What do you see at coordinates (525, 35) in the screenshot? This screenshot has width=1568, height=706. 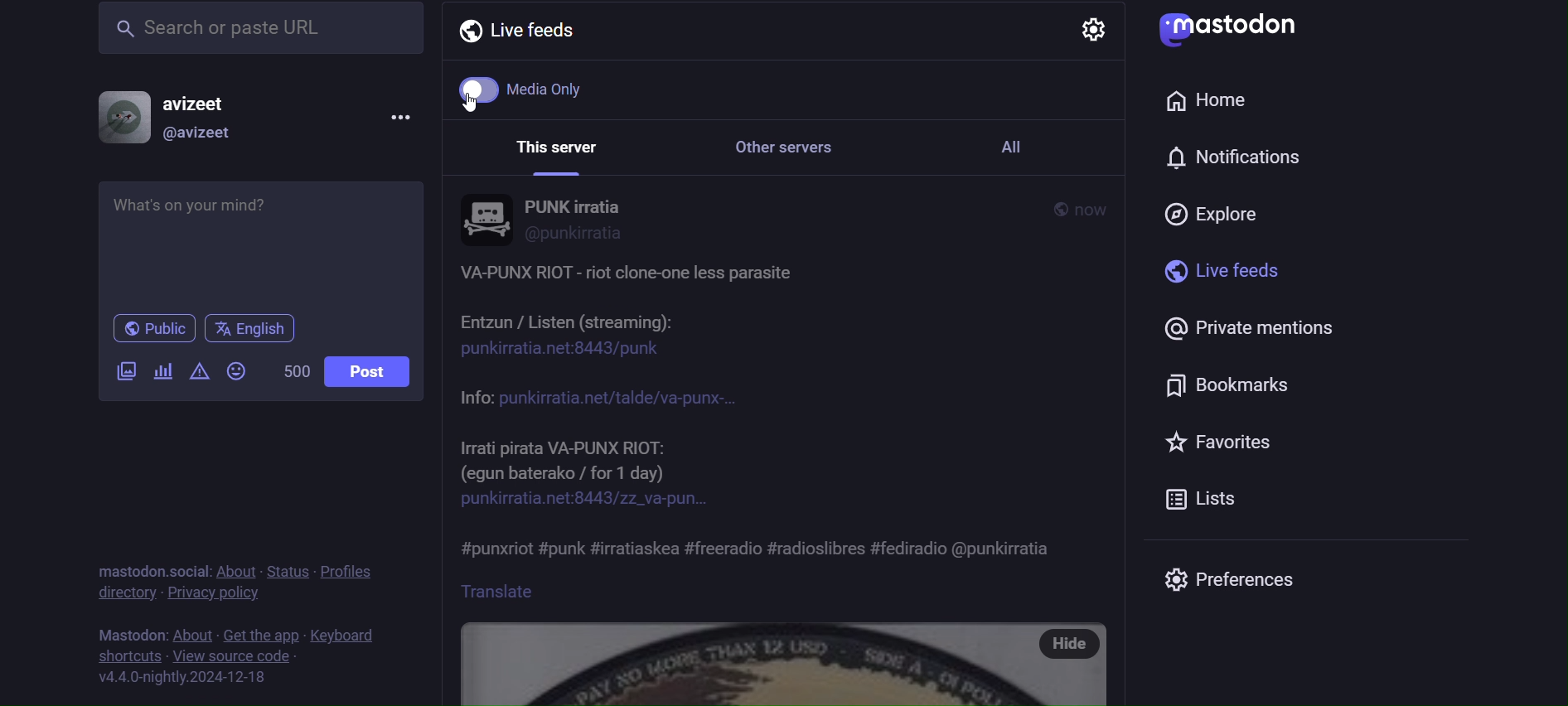 I see `Live feeds` at bounding box center [525, 35].